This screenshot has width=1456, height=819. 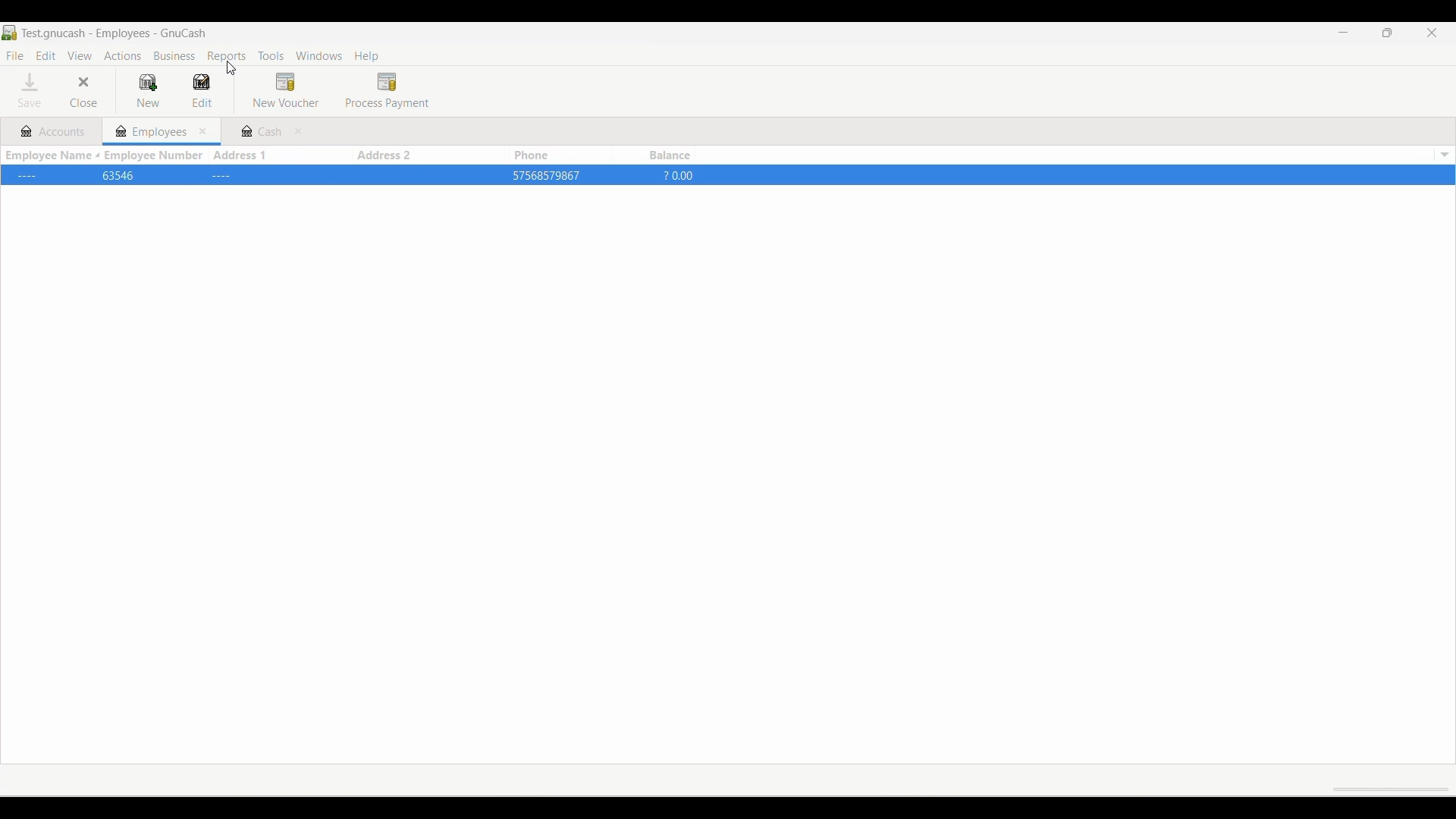 What do you see at coordinates (234, 67) in the screenshot?
I see `Cursor clicking on reports` at bounding box center [234, 67].